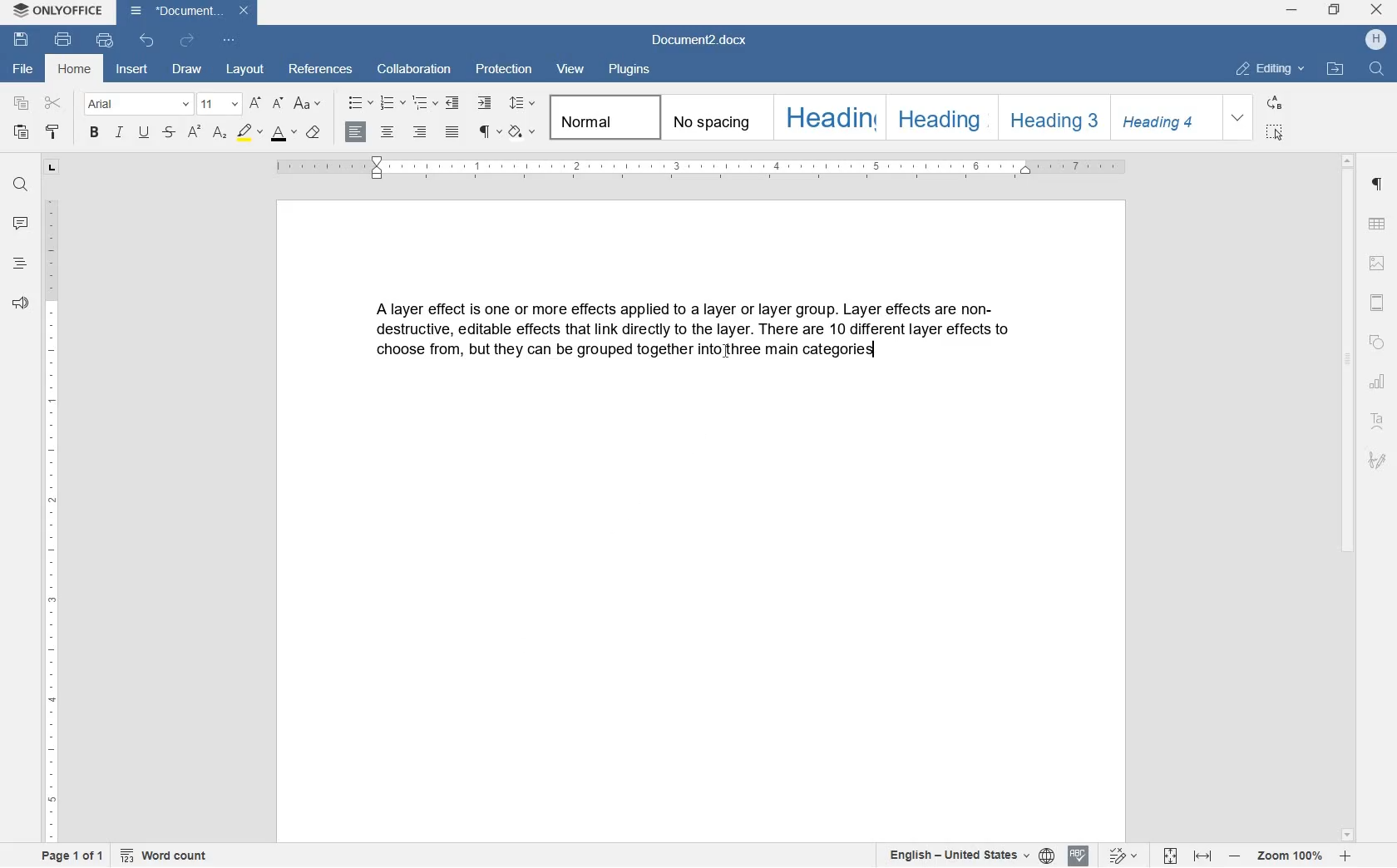  Describe the element at coordinates (961, 856) in the screenshot. I see `text or document language` at that location.